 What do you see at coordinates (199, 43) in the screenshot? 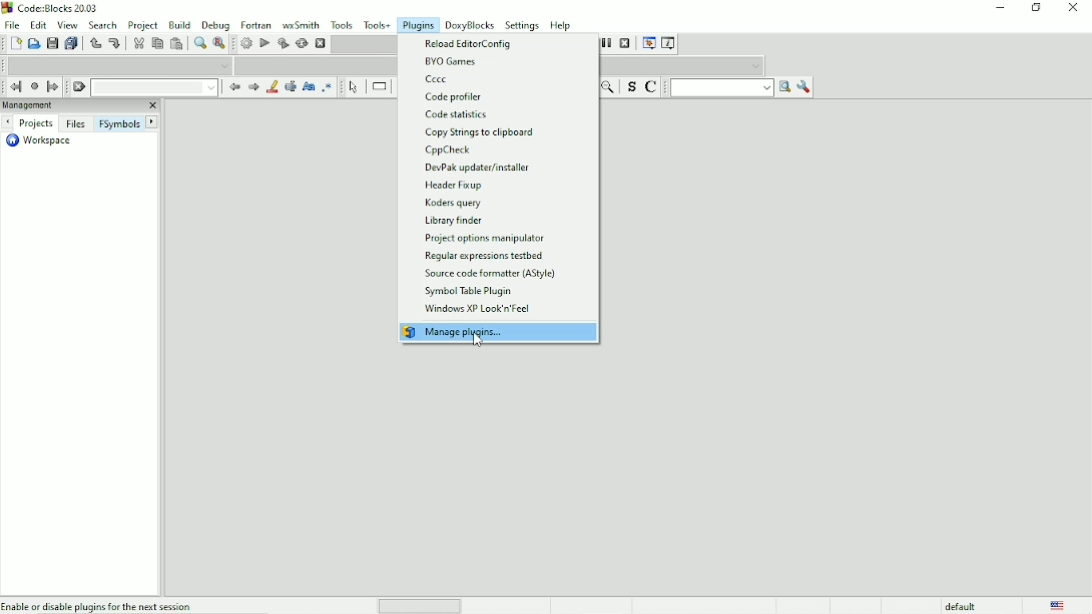
I see `Find` at bounding box center [199, 43].